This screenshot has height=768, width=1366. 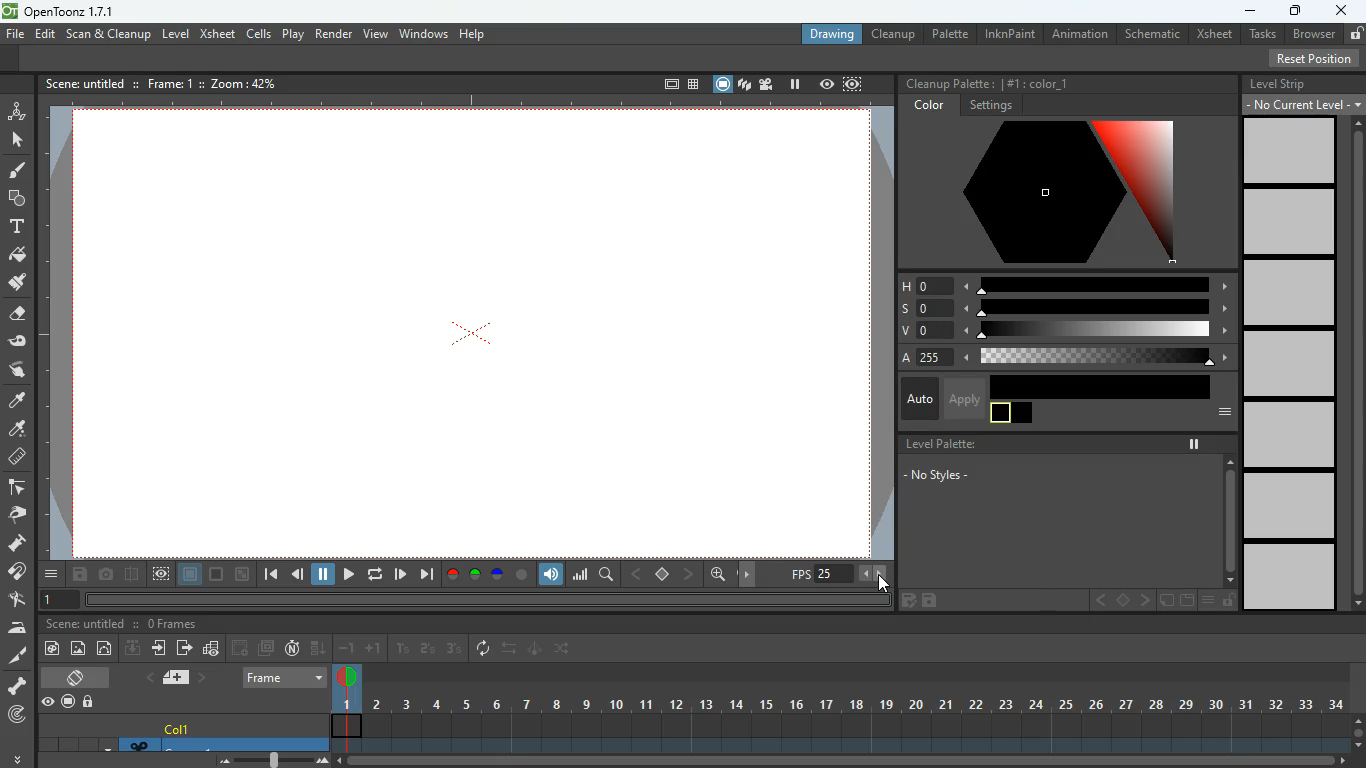 I want to click on skeleton, so click(x=15, y=686).